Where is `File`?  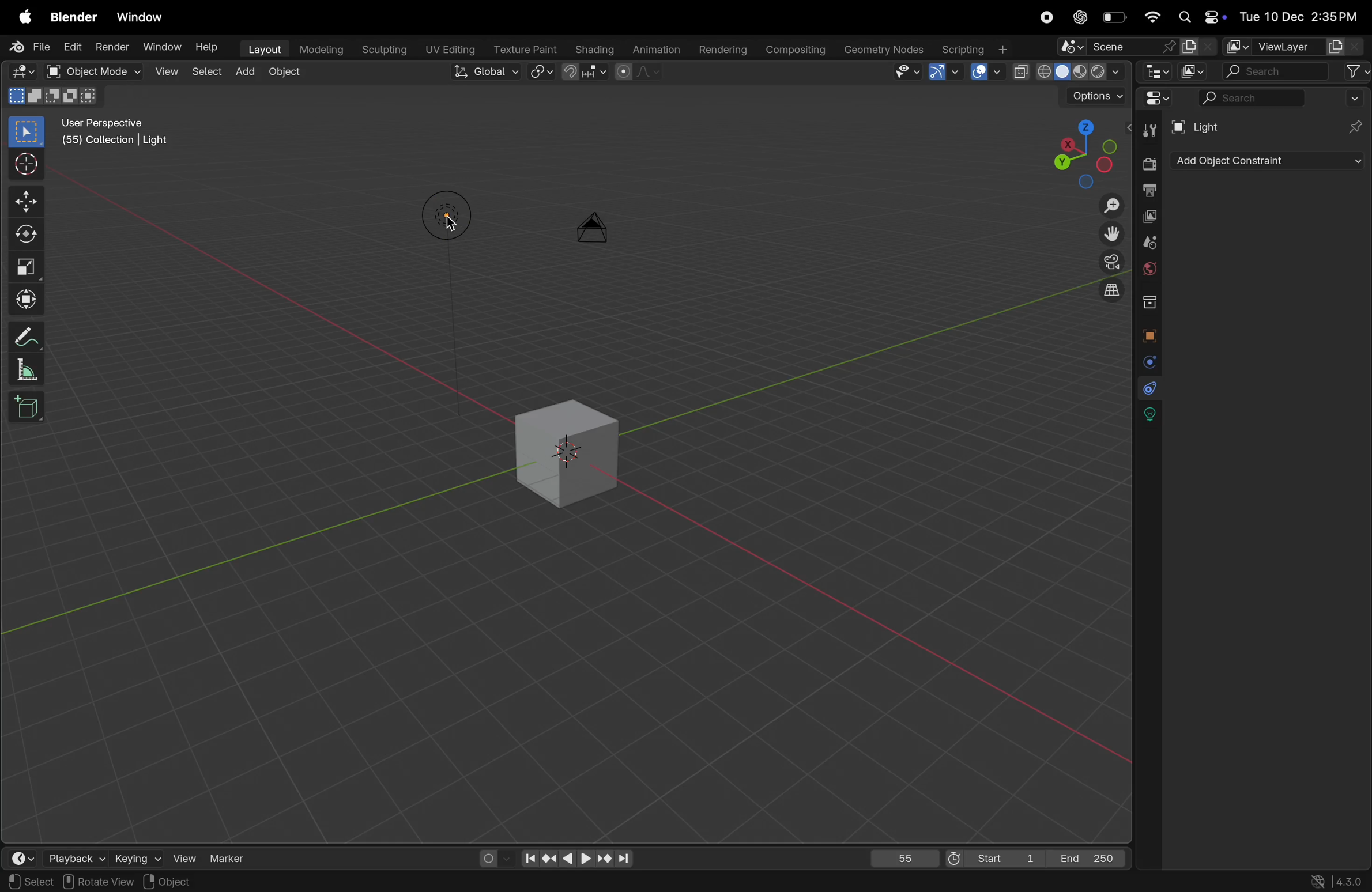
File is located at coordinates (28, 47).